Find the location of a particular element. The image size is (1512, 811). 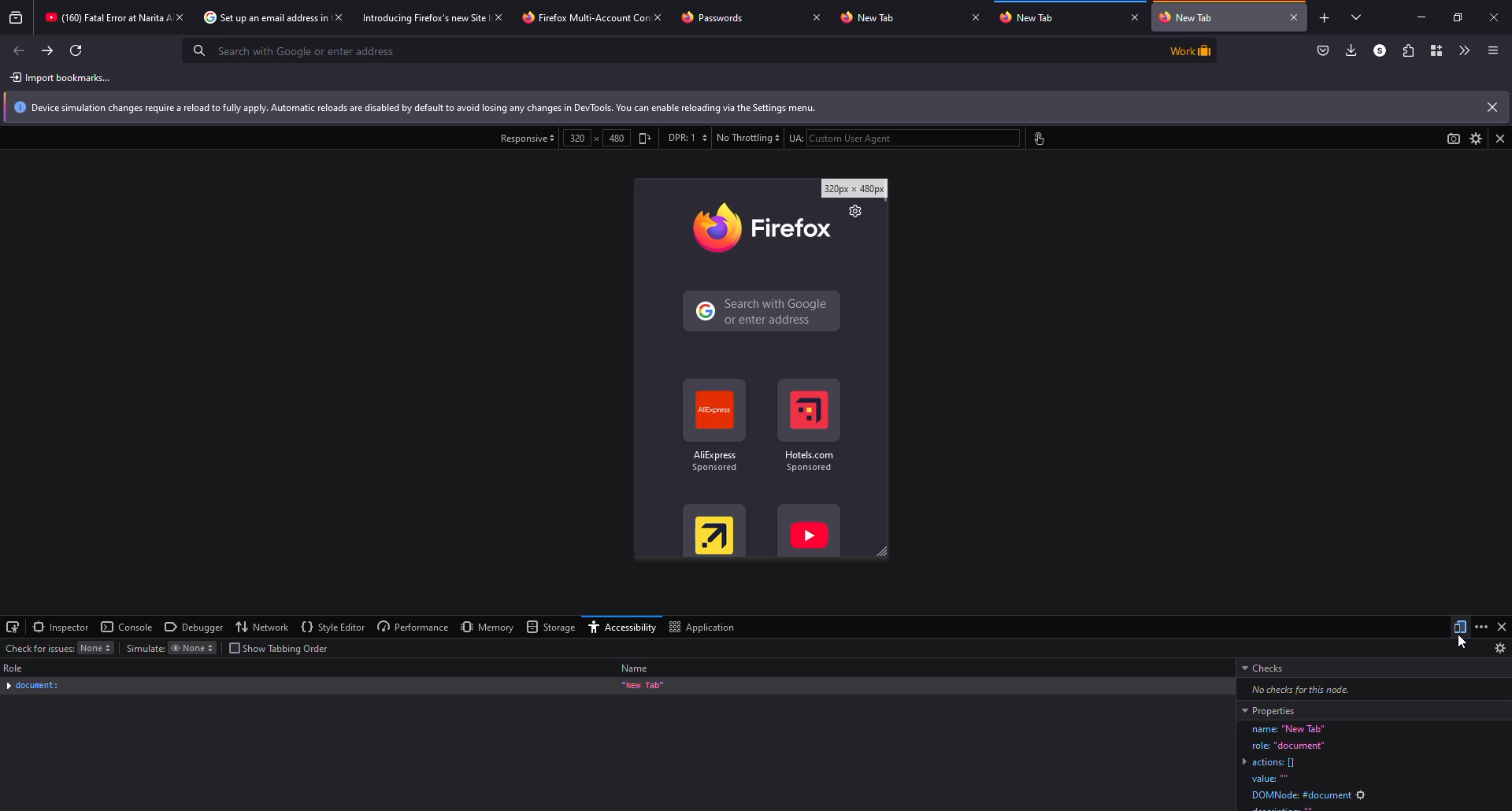

tab is located at coordinates (1034, 19).